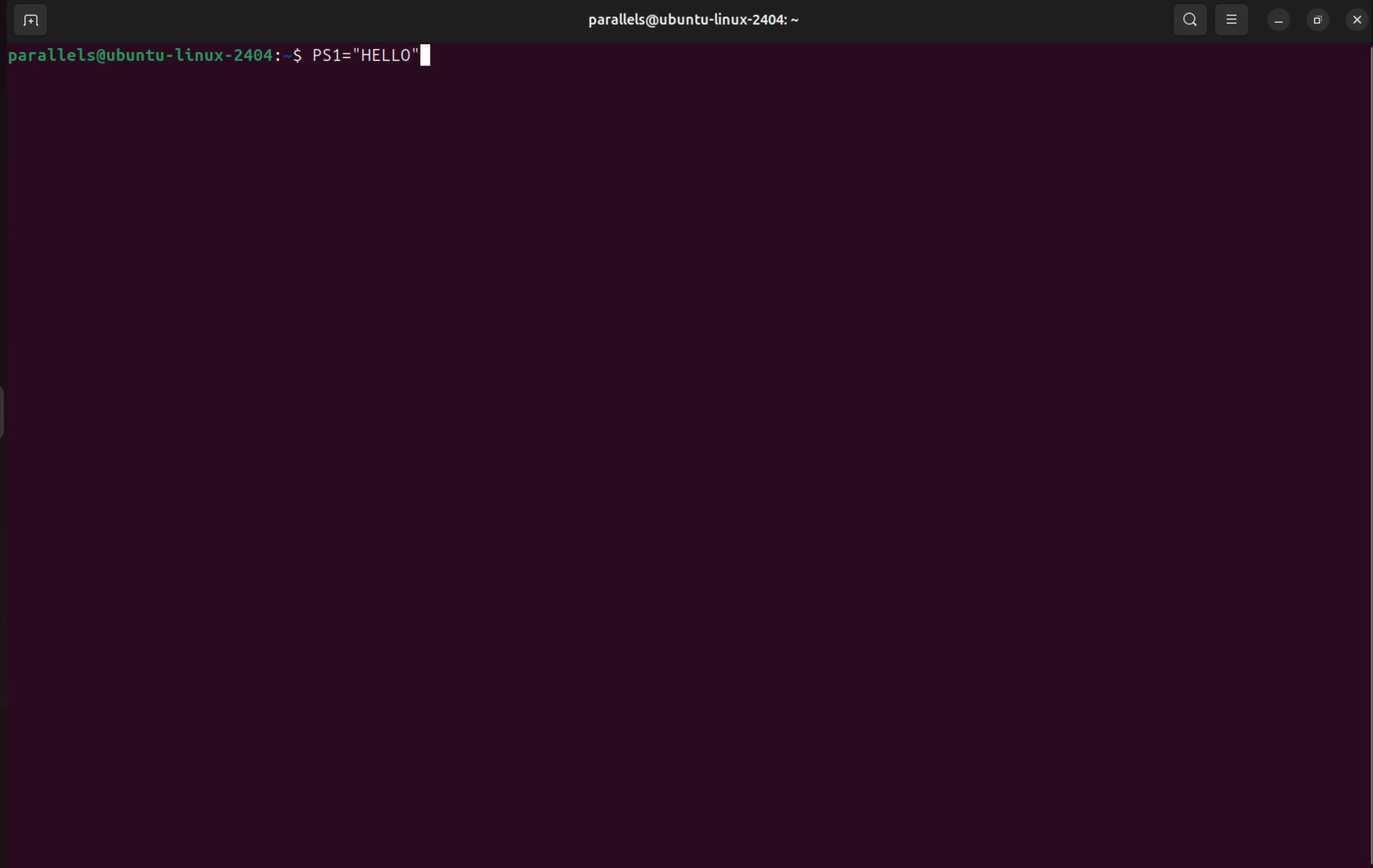 Image resolution: width=1373 pixels, height=868 pixels. What do you see at coordinates (1278, 20) in the screenshot?
I see `minimize` at bounding box center [1278, 20].